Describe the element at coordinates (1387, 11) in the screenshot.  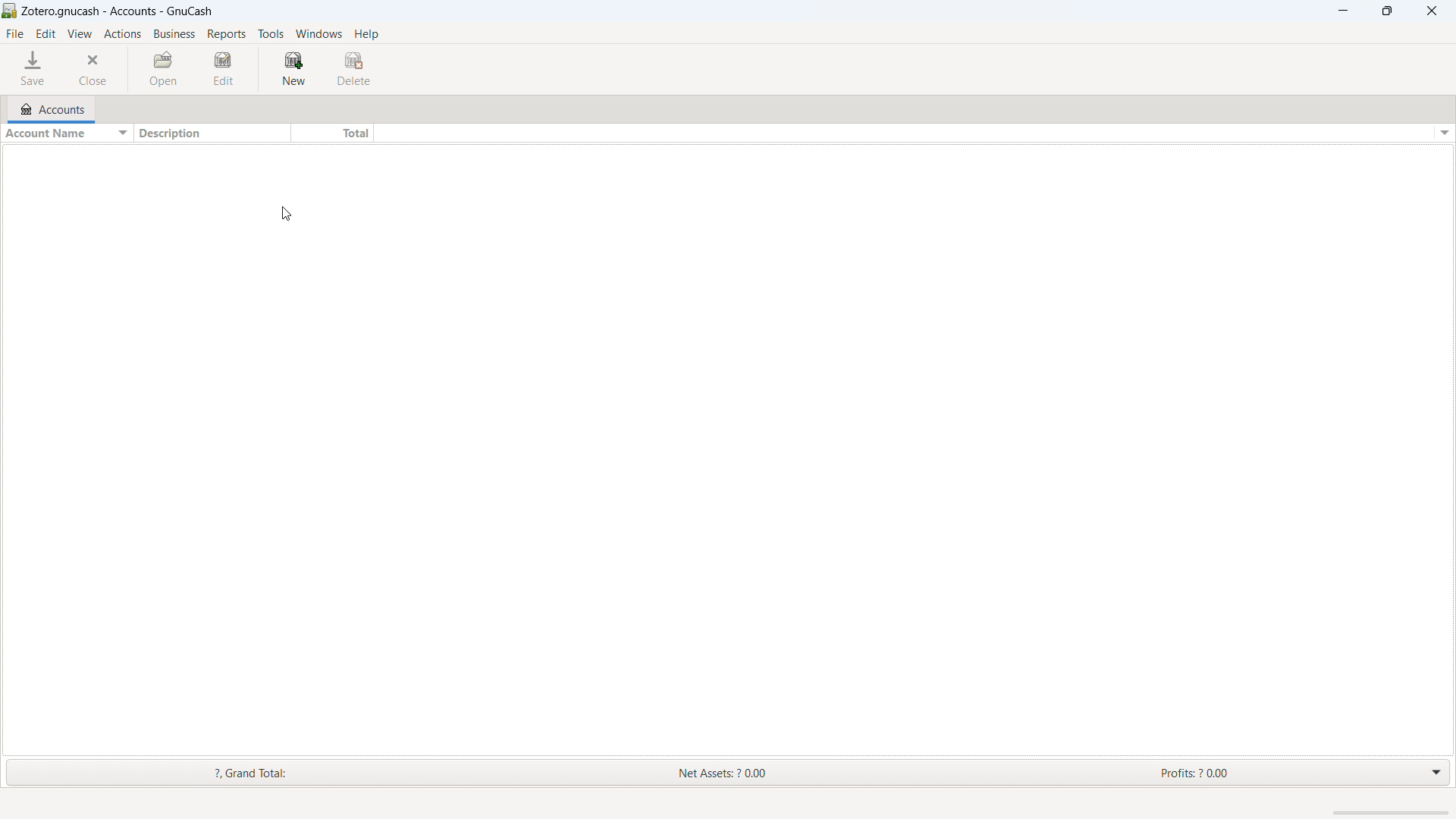
I see `maximize` at that location.